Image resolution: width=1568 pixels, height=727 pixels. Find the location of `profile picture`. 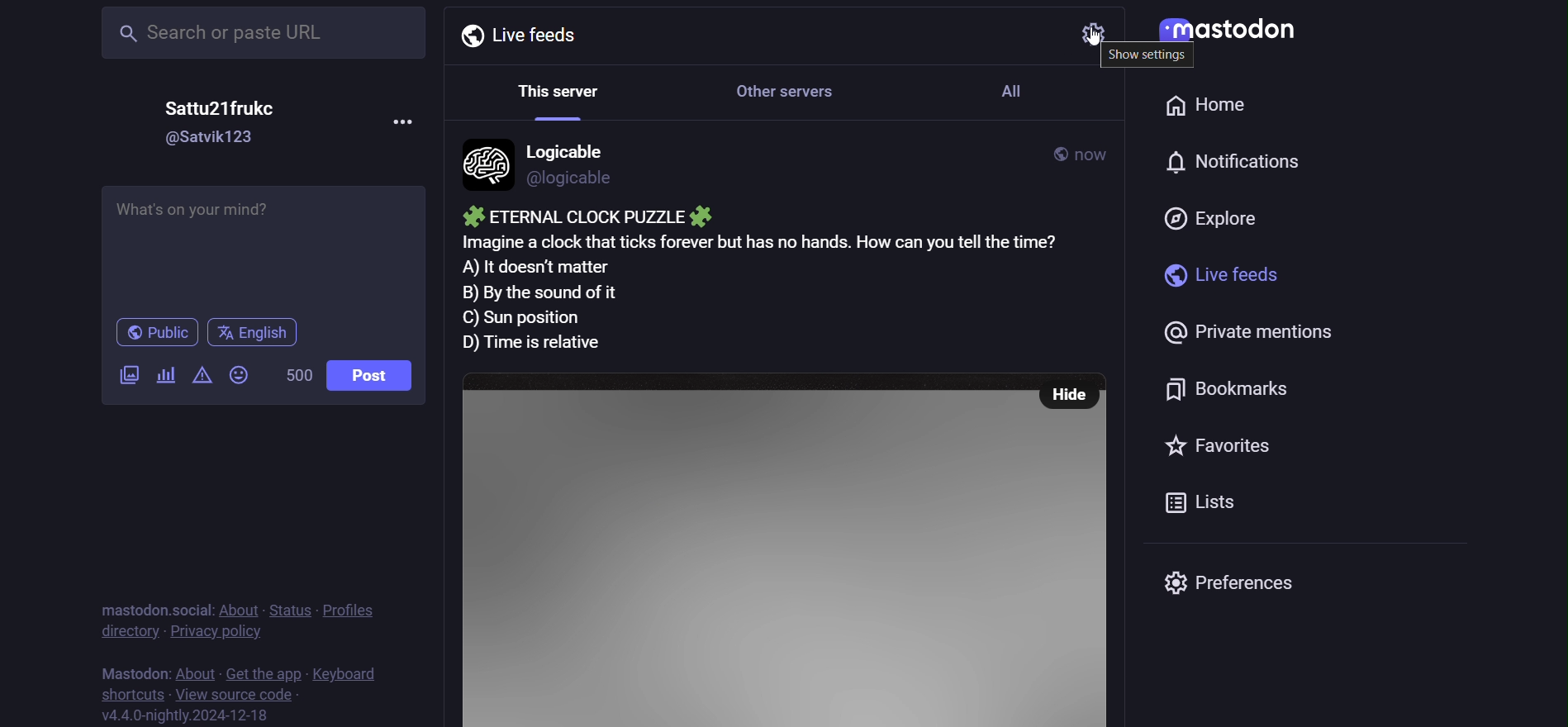

profile picture is located at coordinates (484, 163).